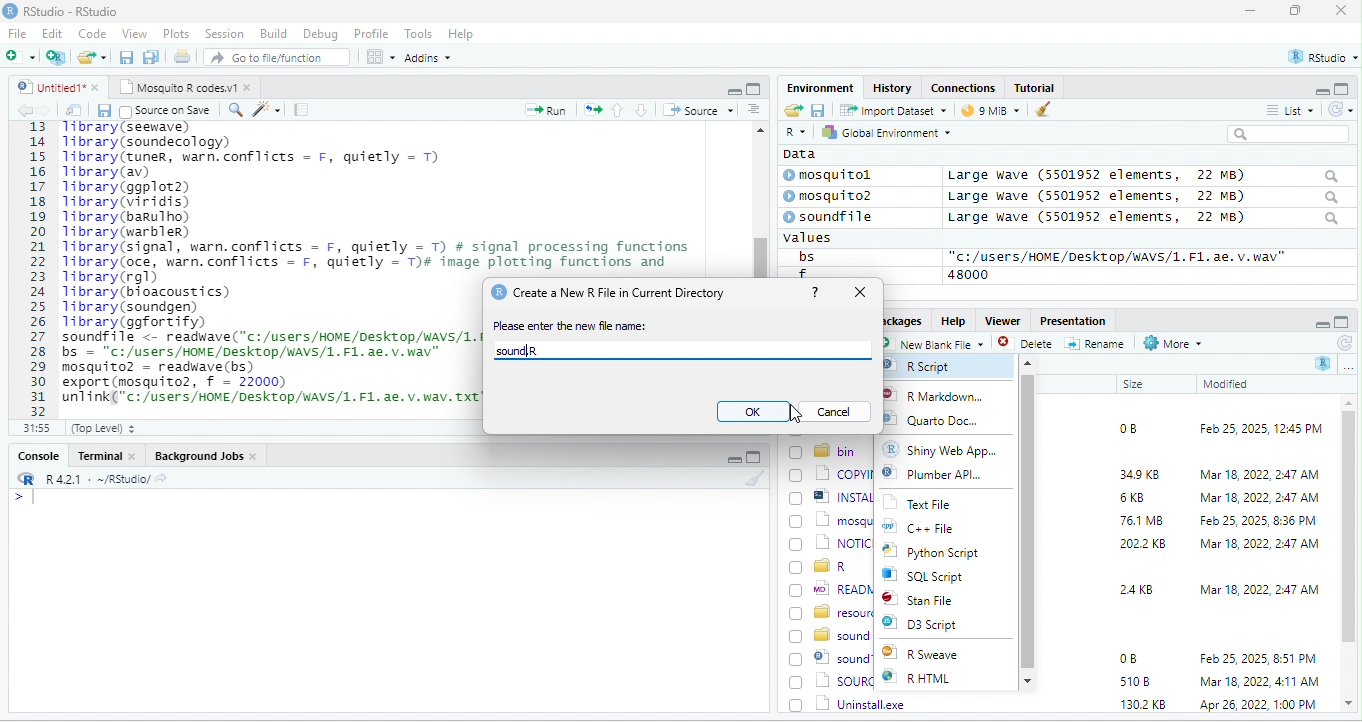  Describe the element at coordinates (760, 199) in the screenshot. I see `scroll bar` at that location.